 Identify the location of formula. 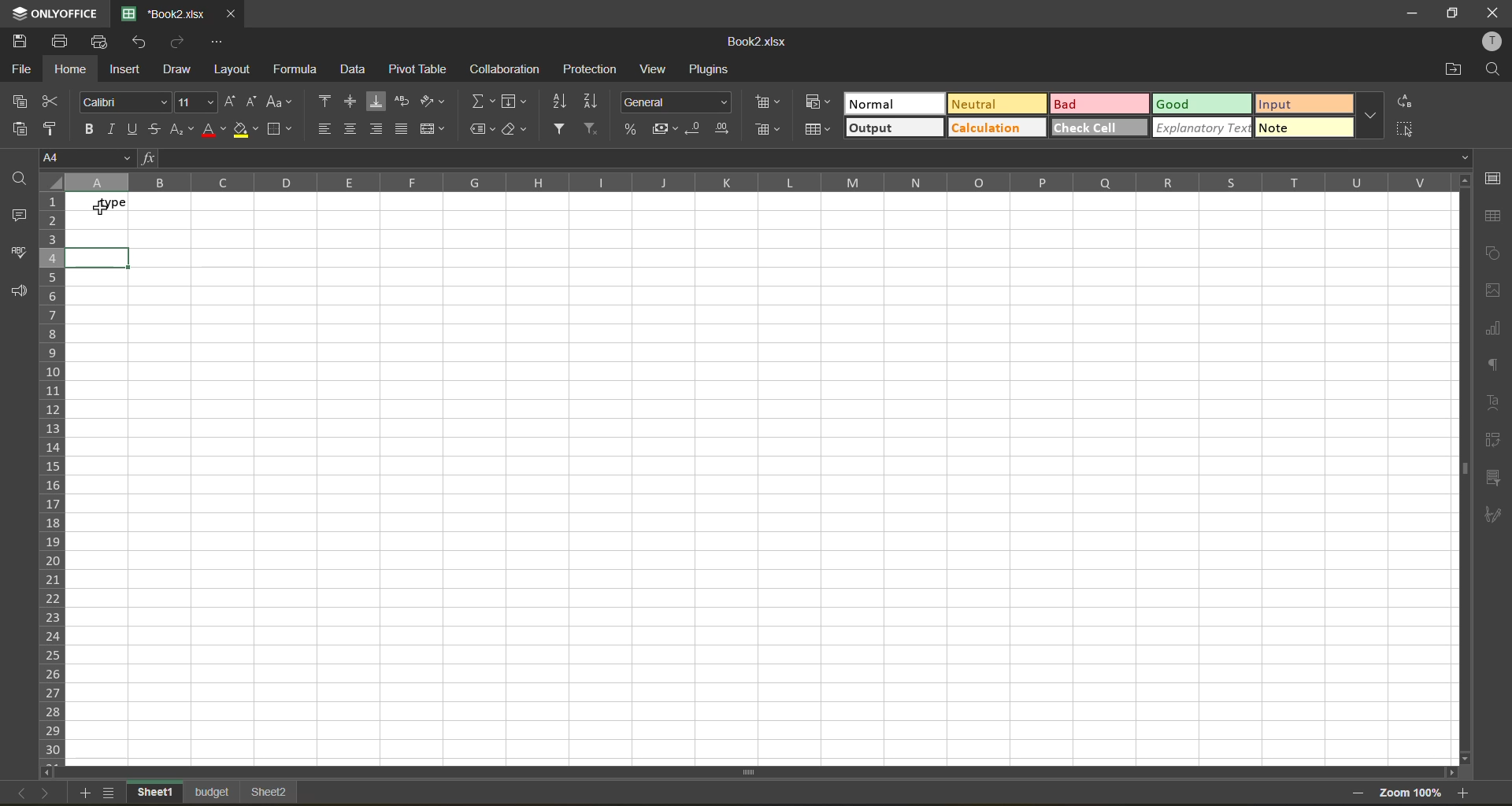
(301, 68).